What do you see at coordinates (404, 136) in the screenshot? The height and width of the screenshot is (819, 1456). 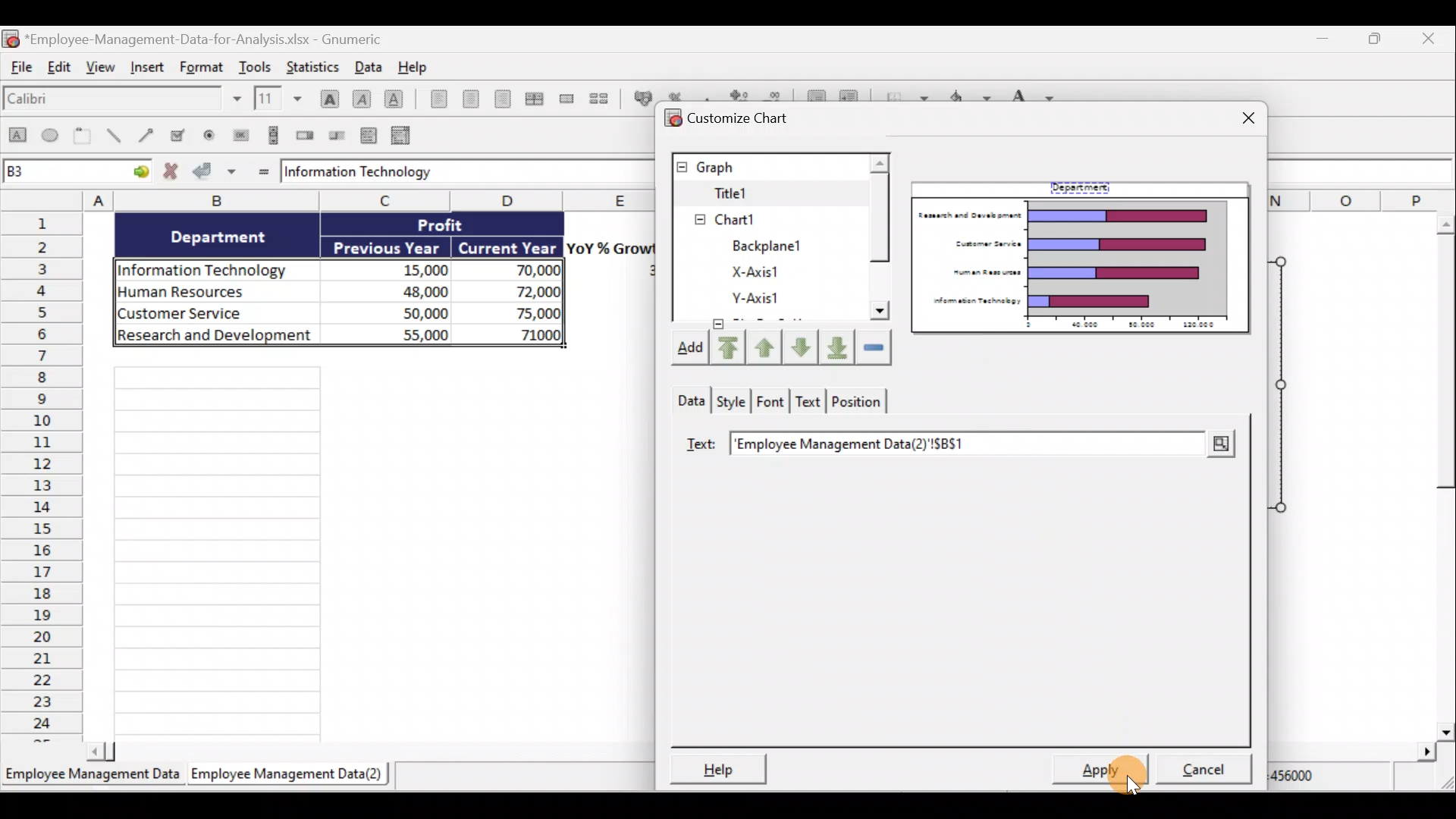 I see `Create a combo box` at bounding box center [404, 136].